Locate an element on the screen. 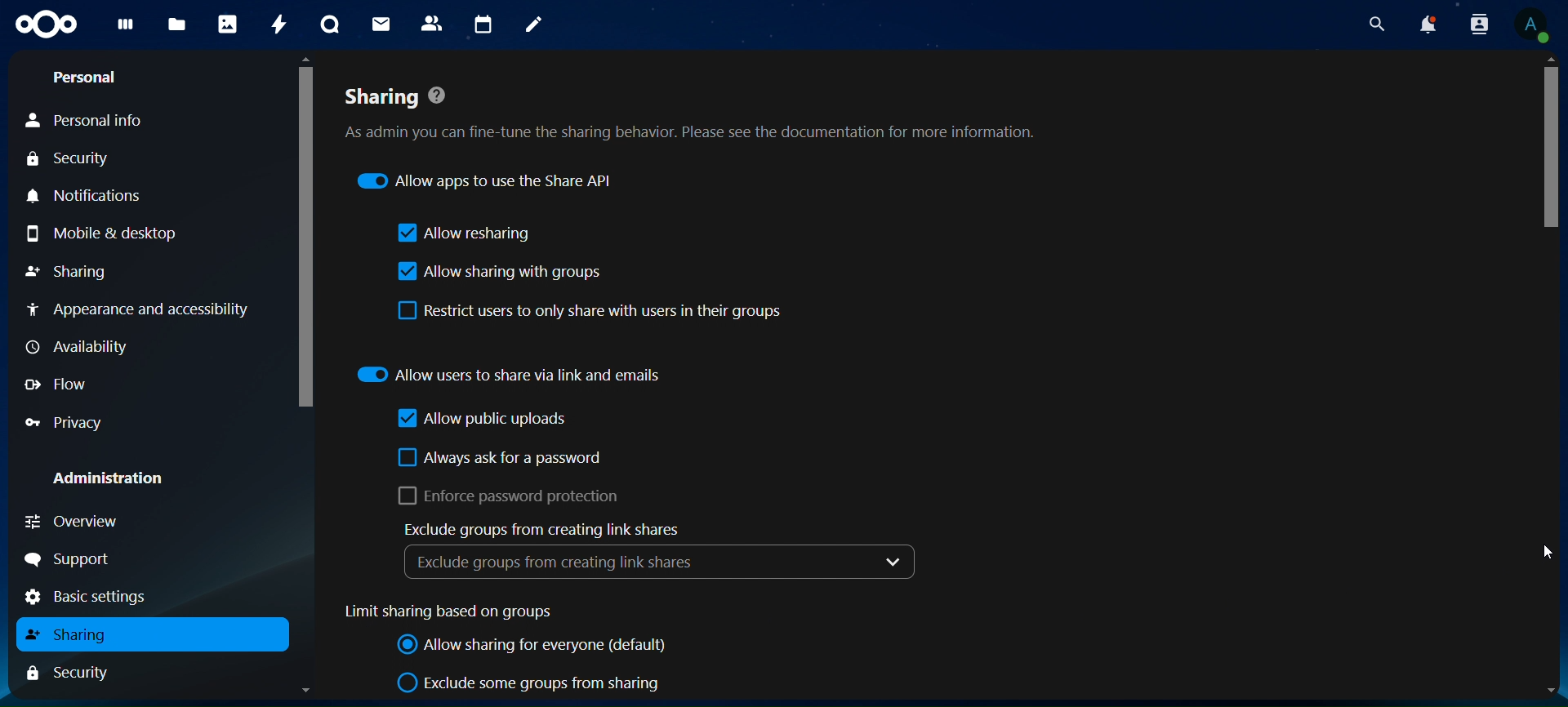 Image resolution: width=1568 pixels, height=707 pixels. Cursor is located at coordinates (1540, 554).